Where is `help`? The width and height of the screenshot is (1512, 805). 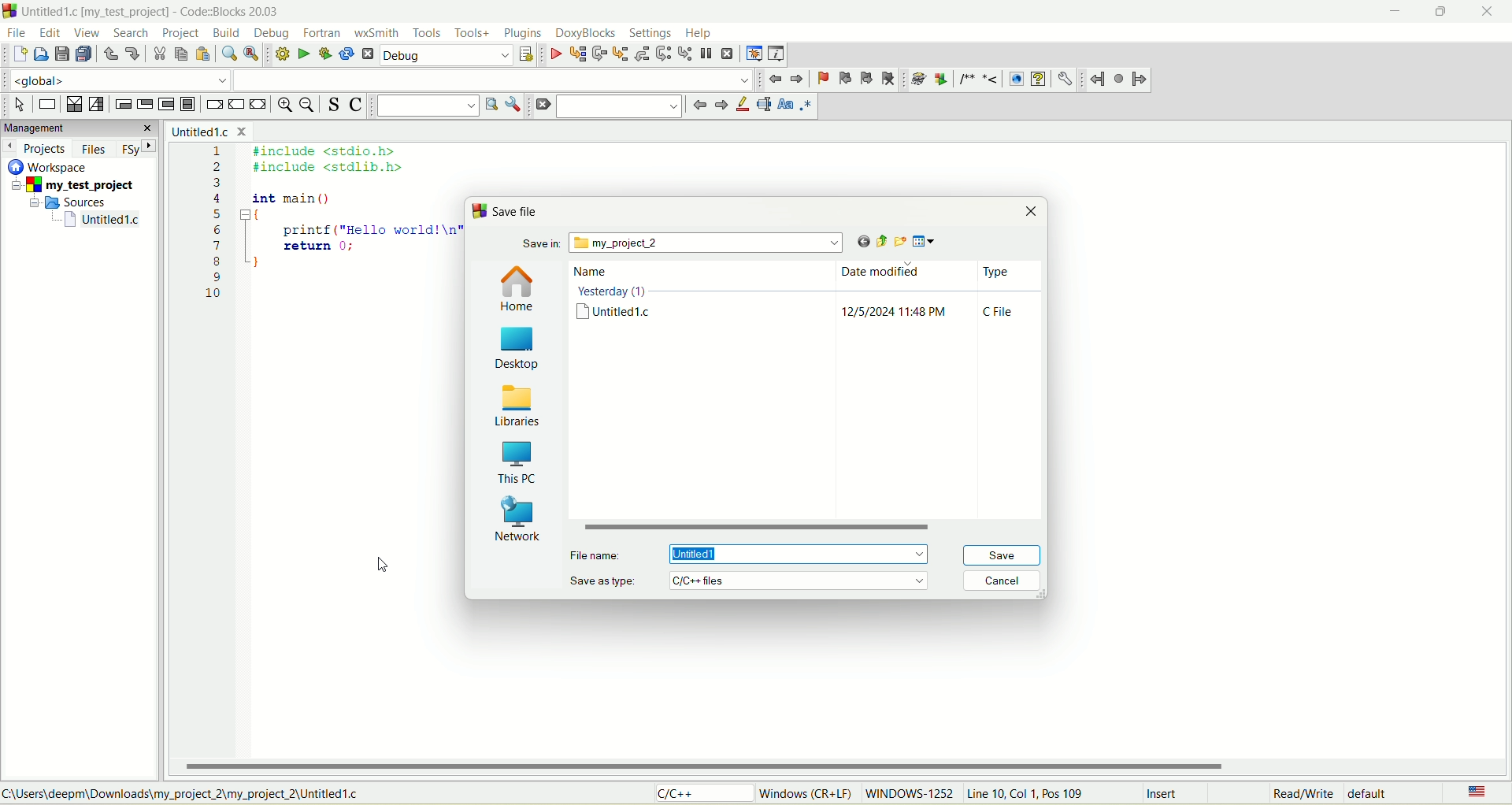
help is located at coordinates (699, 34).